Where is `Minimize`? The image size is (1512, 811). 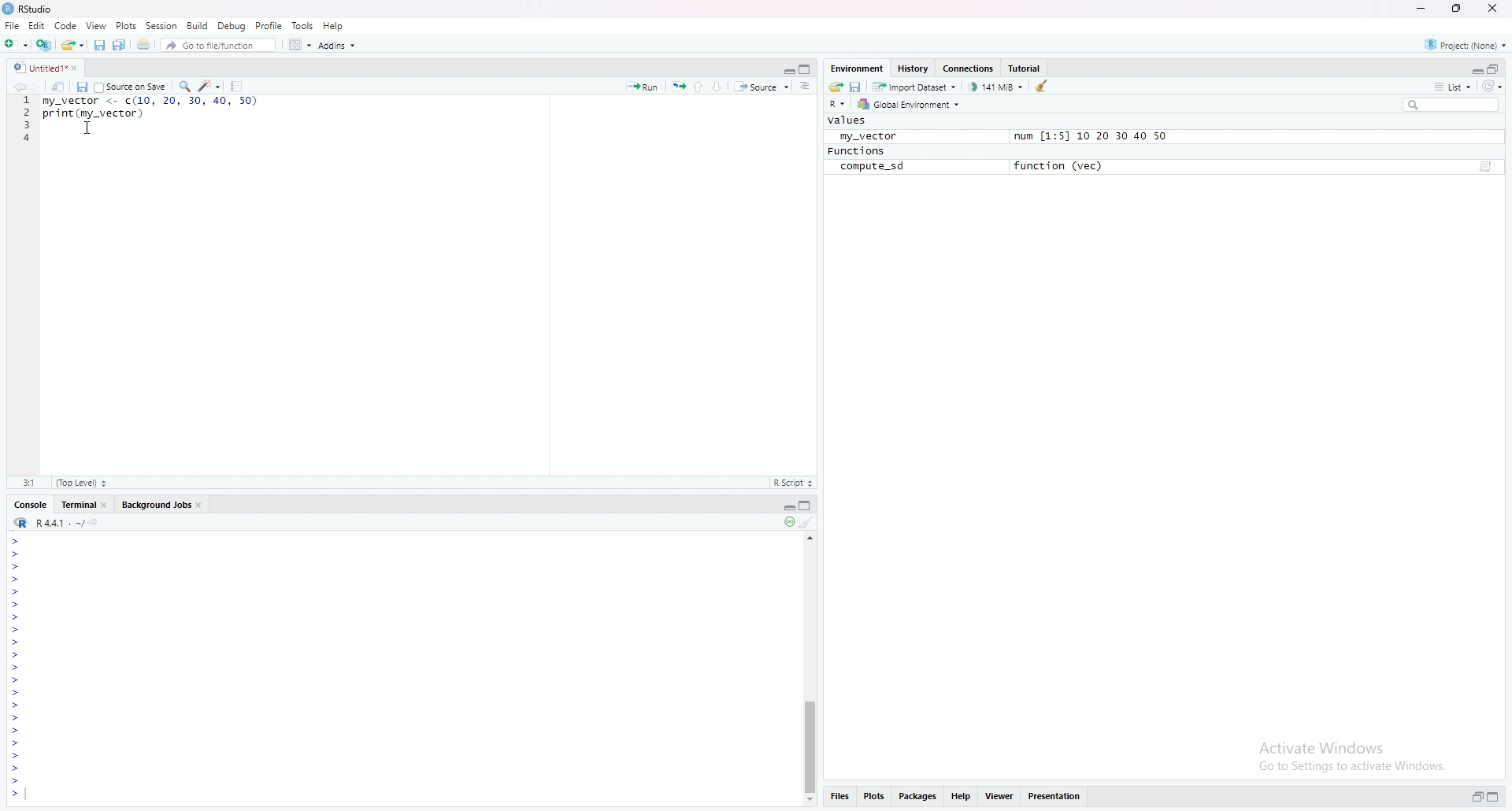 Minimize is located at coordinates (1424, 9).